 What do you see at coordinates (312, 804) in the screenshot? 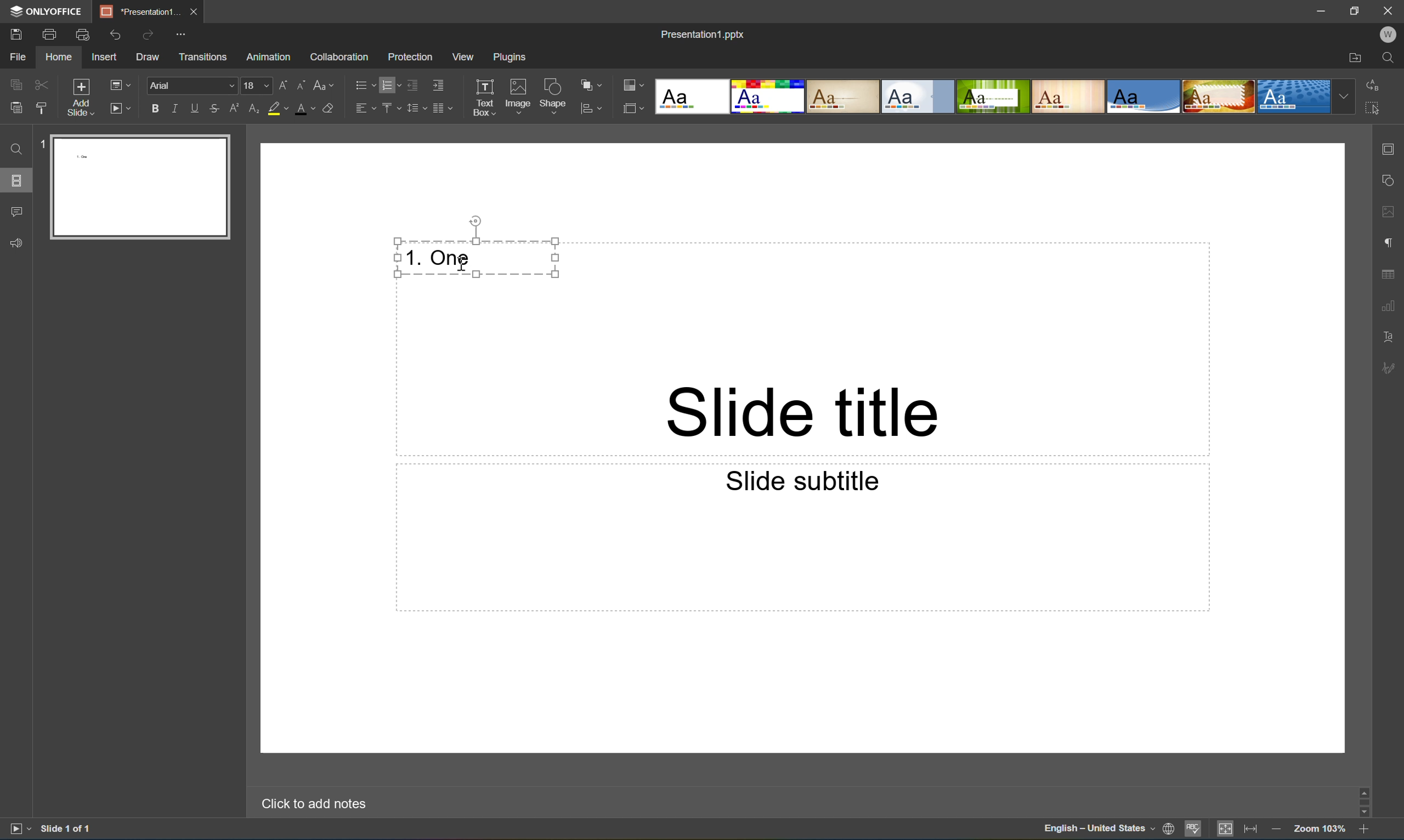
I see `Click to add notes` at bounding box center [312, 804].